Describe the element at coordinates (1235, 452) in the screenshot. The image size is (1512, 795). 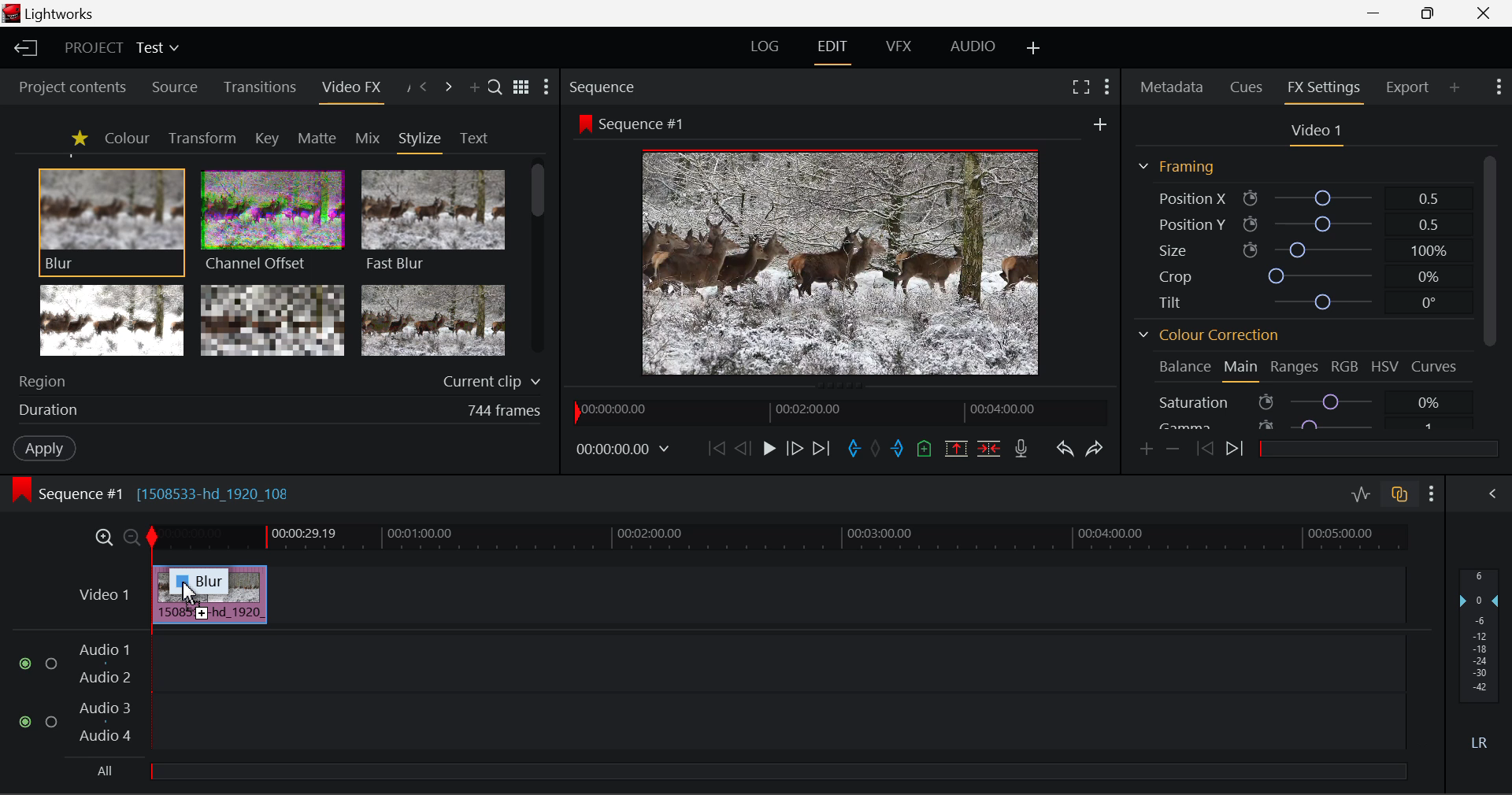
I see `Next keyframe` at that location.